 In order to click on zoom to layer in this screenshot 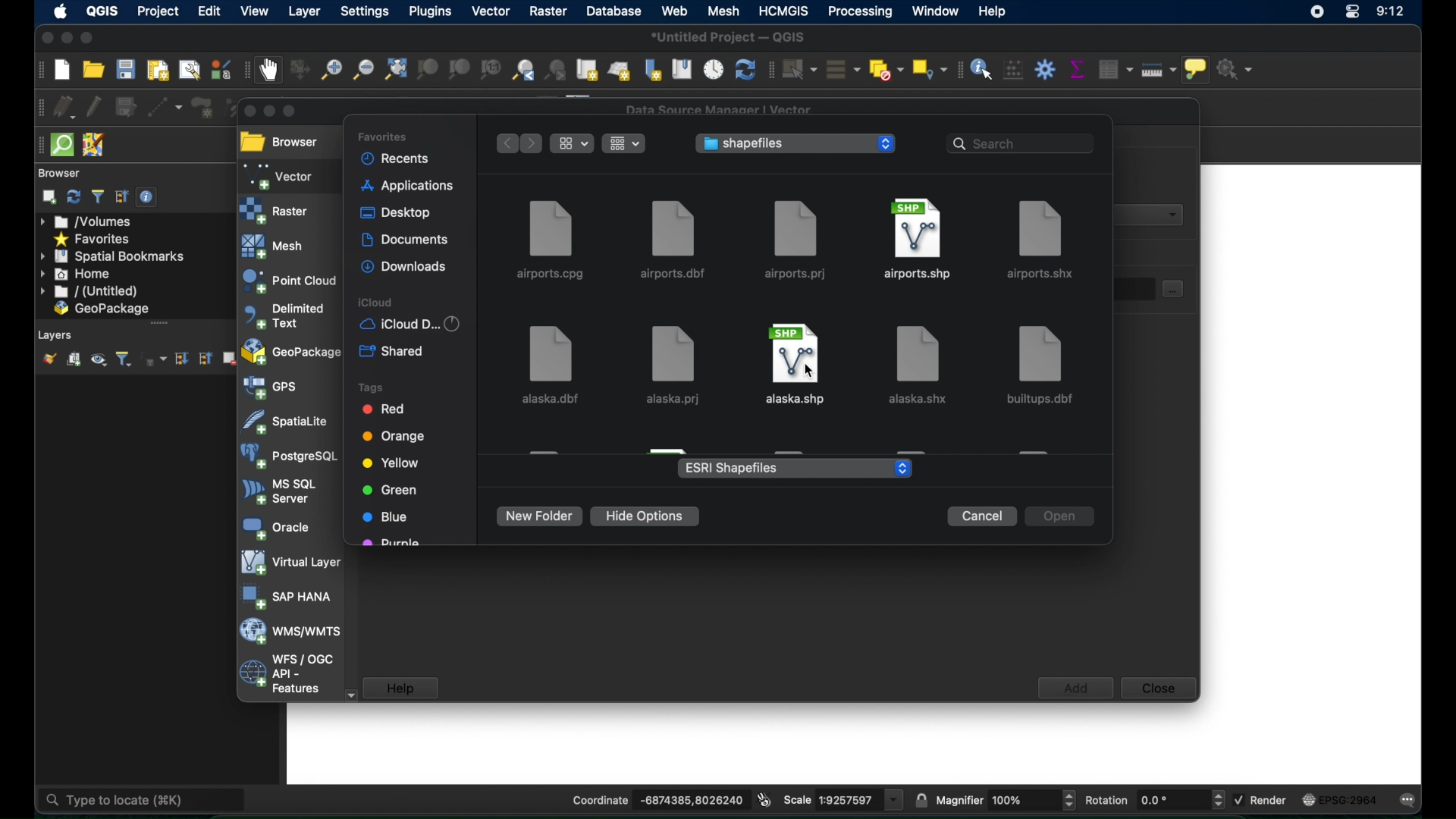, I will do `click(460, 70)`.